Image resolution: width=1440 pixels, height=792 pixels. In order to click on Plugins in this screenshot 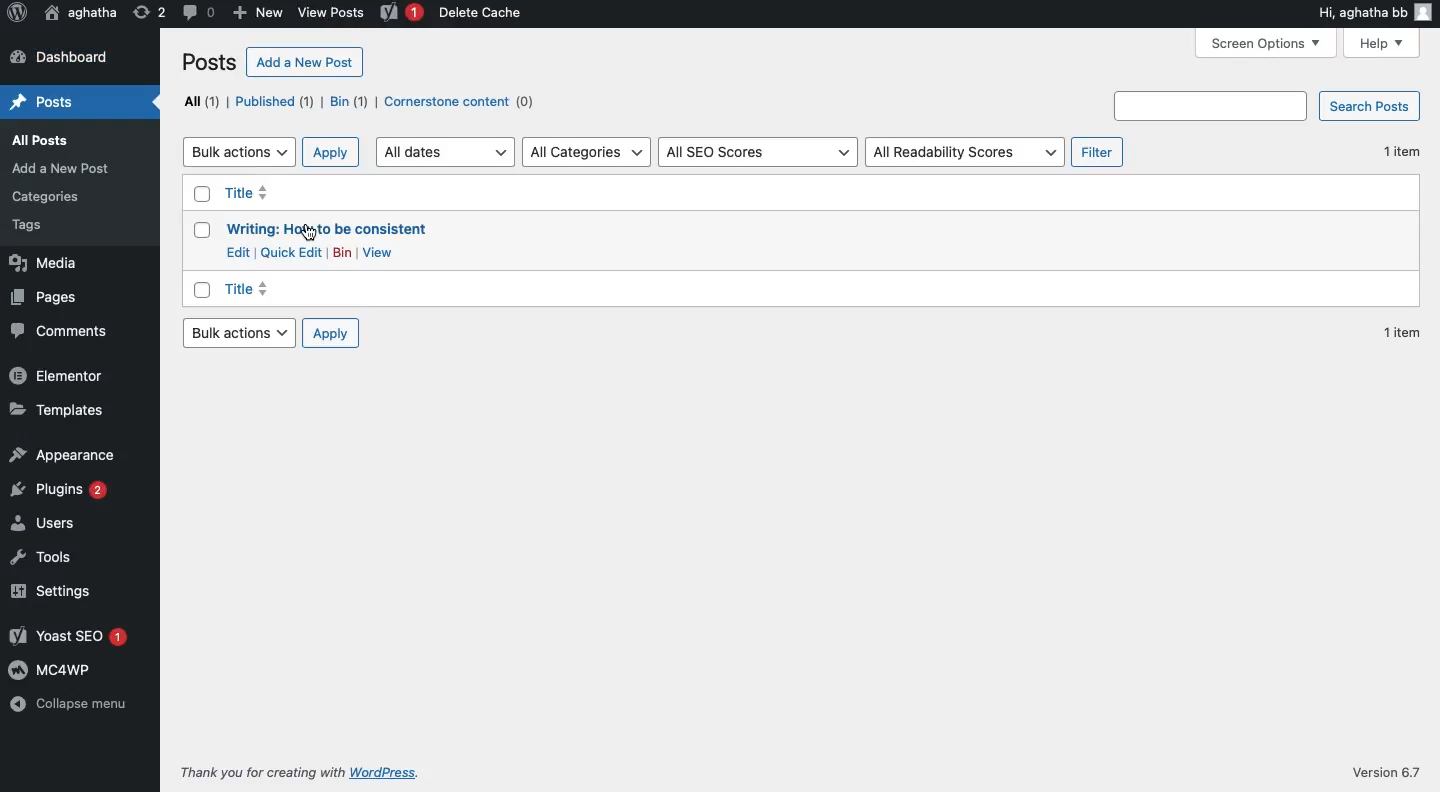, I will do `click(62, 489)`.